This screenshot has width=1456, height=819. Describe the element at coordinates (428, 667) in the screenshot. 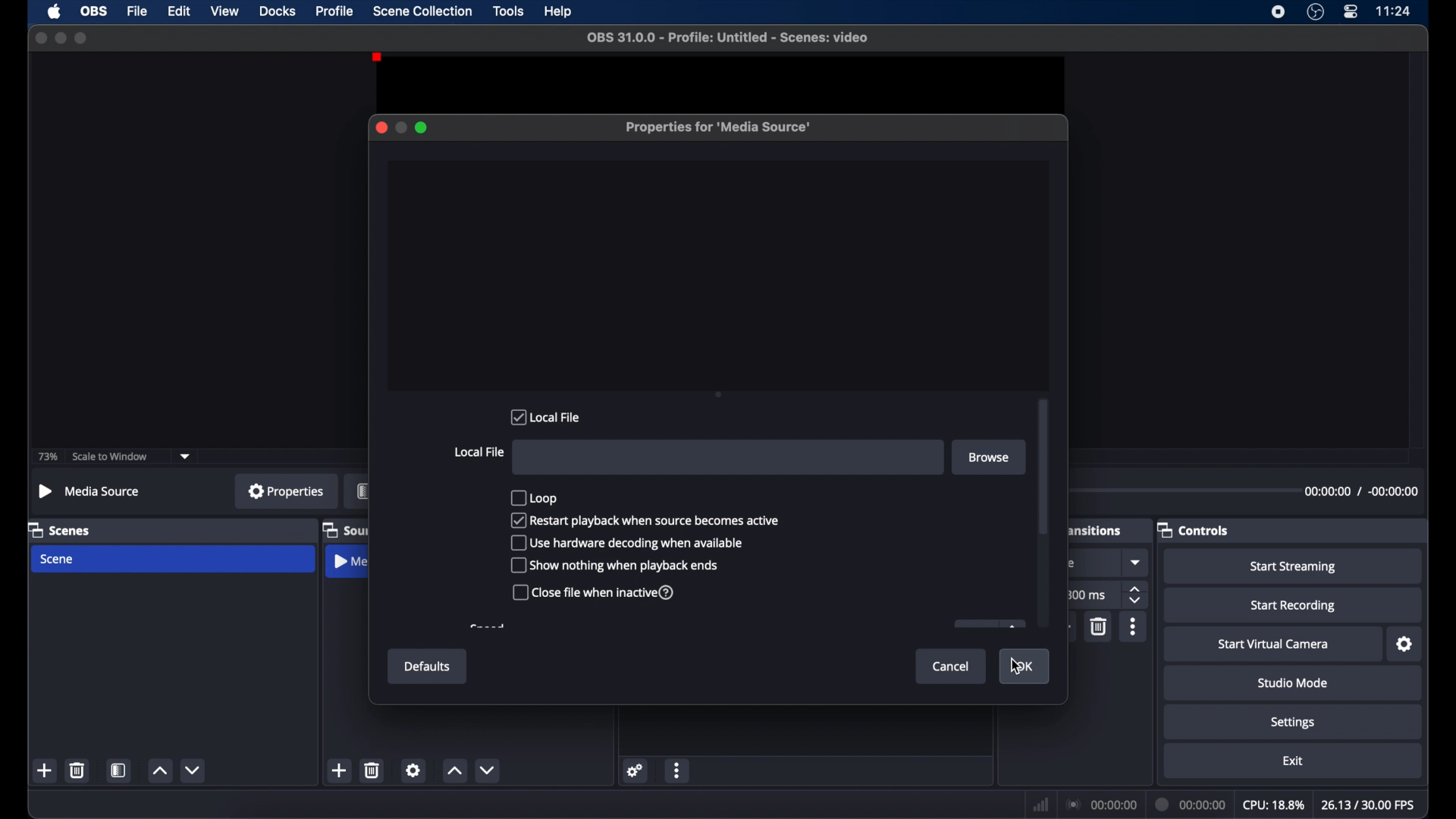

I see `defaults` at that location.